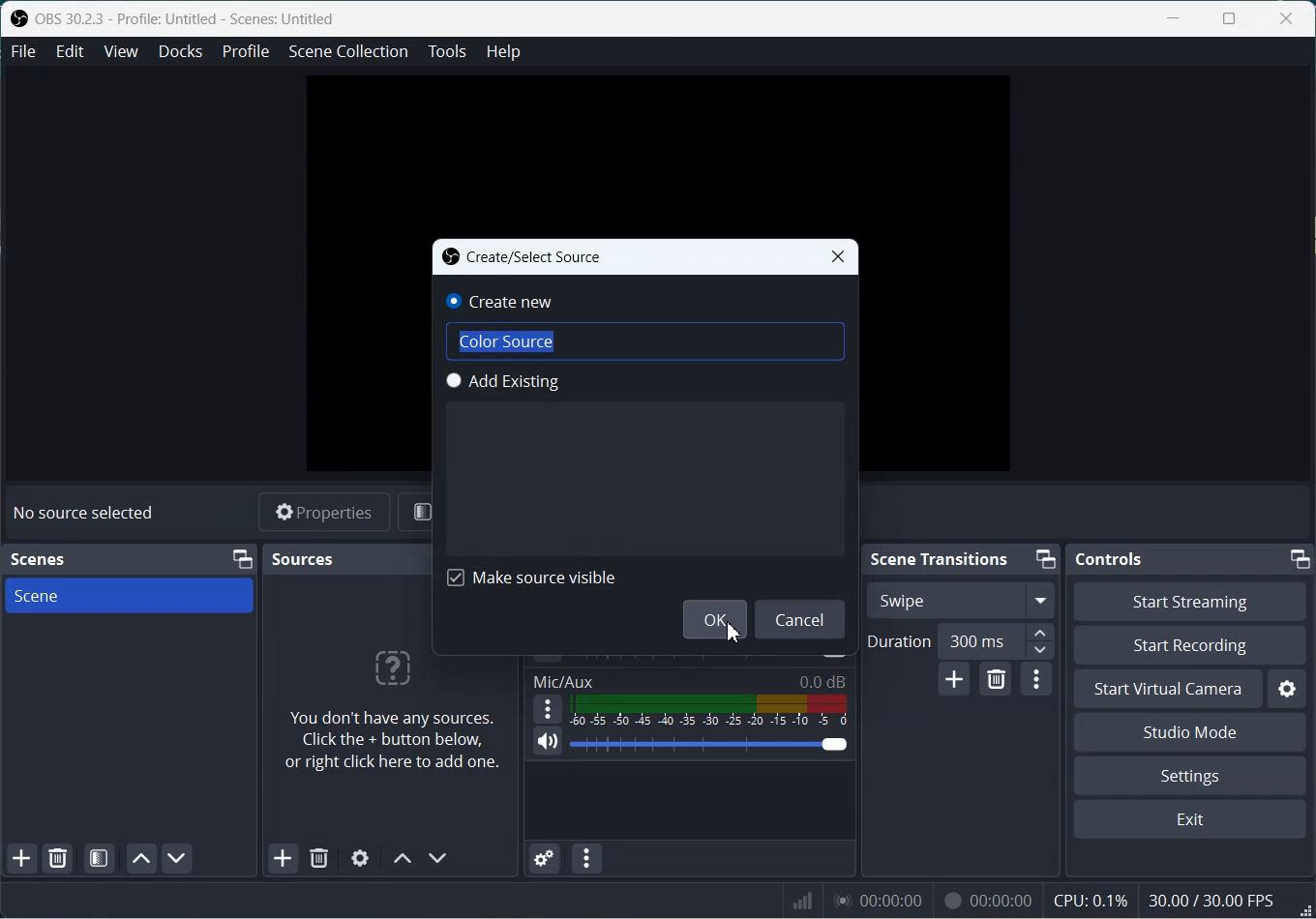 Image resolution: width=1316 pixels, height=919 pixels. Describe the element at coordinates (521, 257) in the screenshot. I see `Create/Select Source` at that location.